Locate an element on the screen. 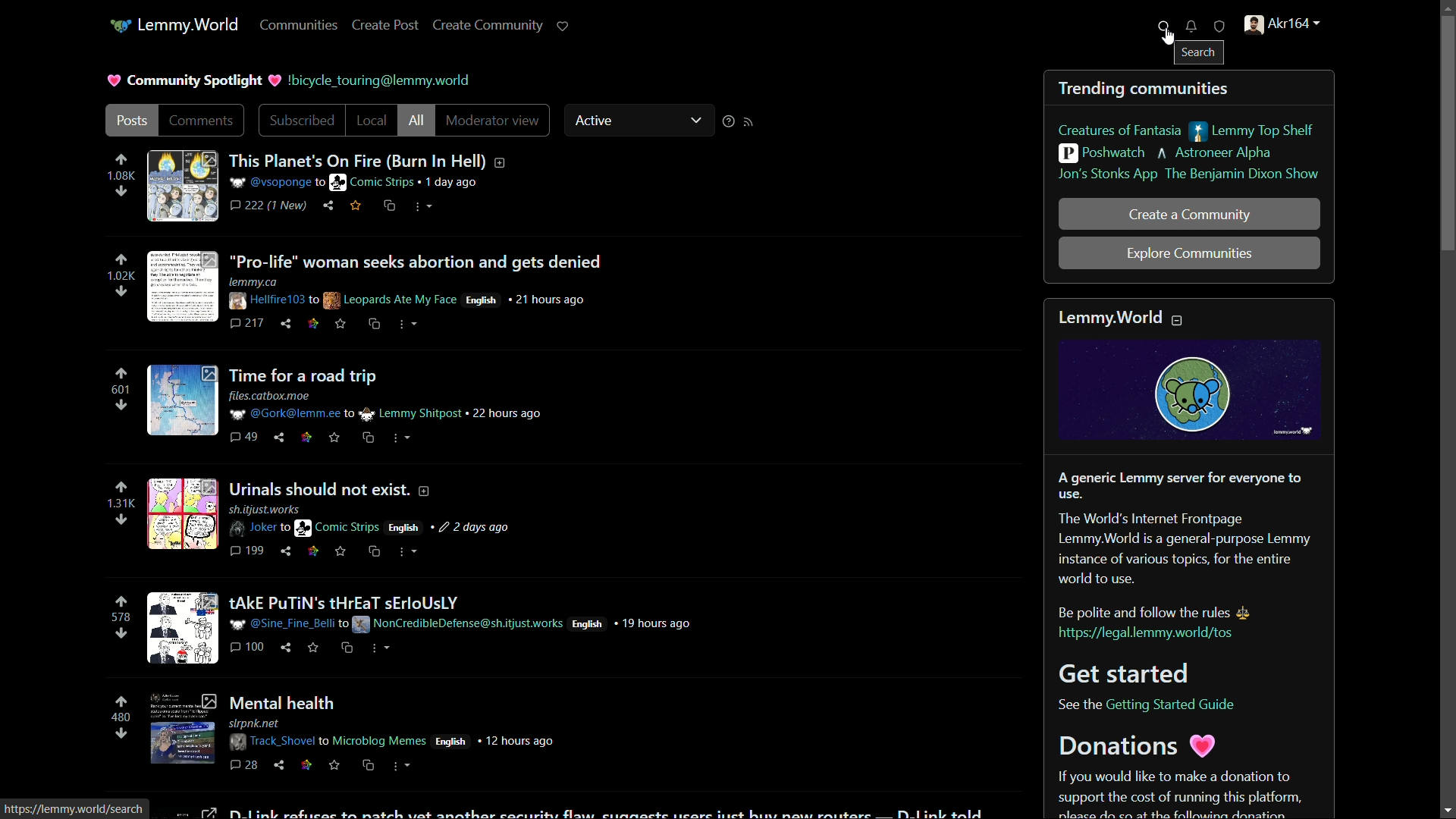 The width and height of the screenshot is (1456, 819). post-1 is located at coordinates (325, 183).